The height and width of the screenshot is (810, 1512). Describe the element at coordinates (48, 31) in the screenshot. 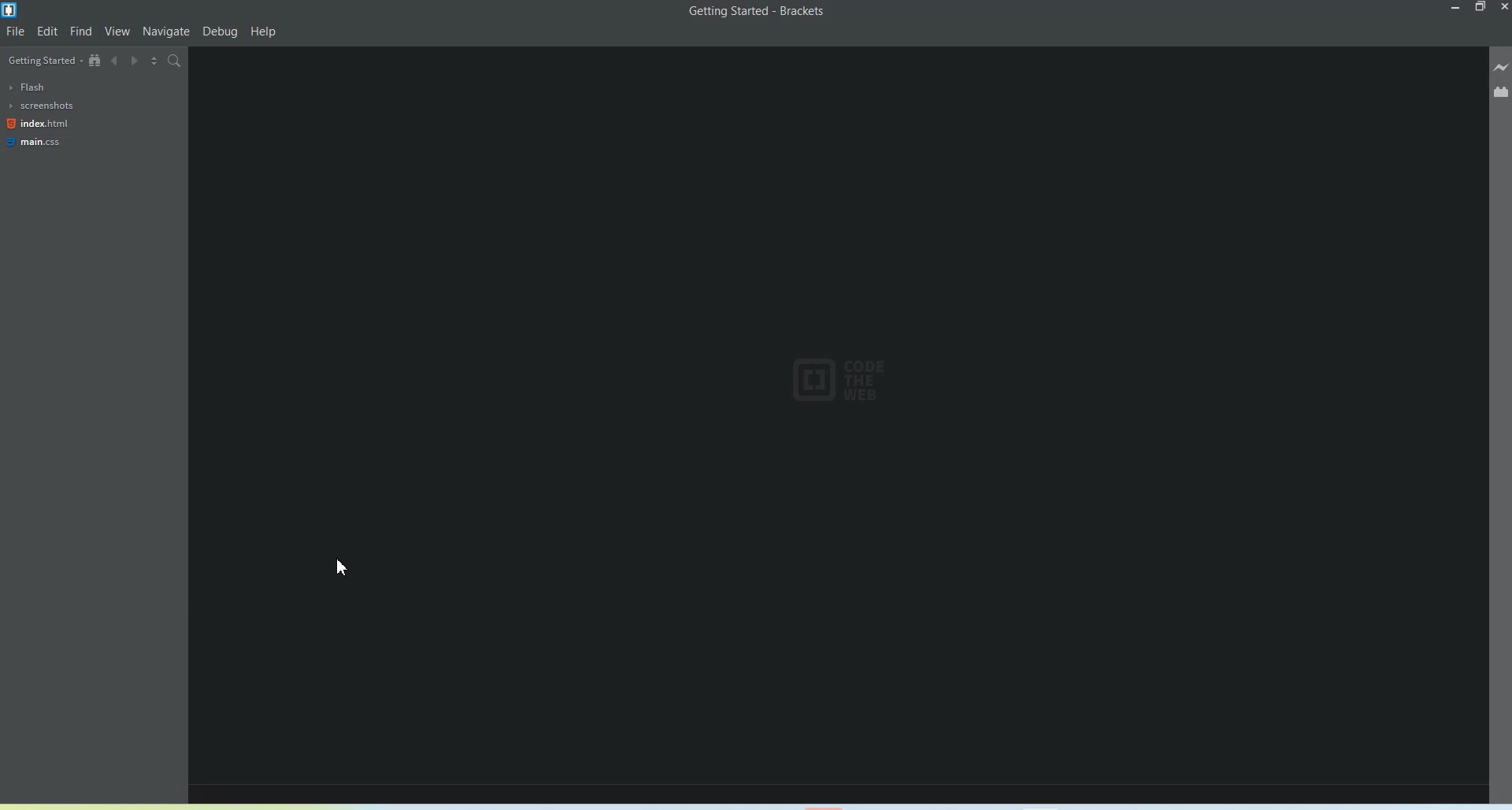

I see `Edit` at that location.